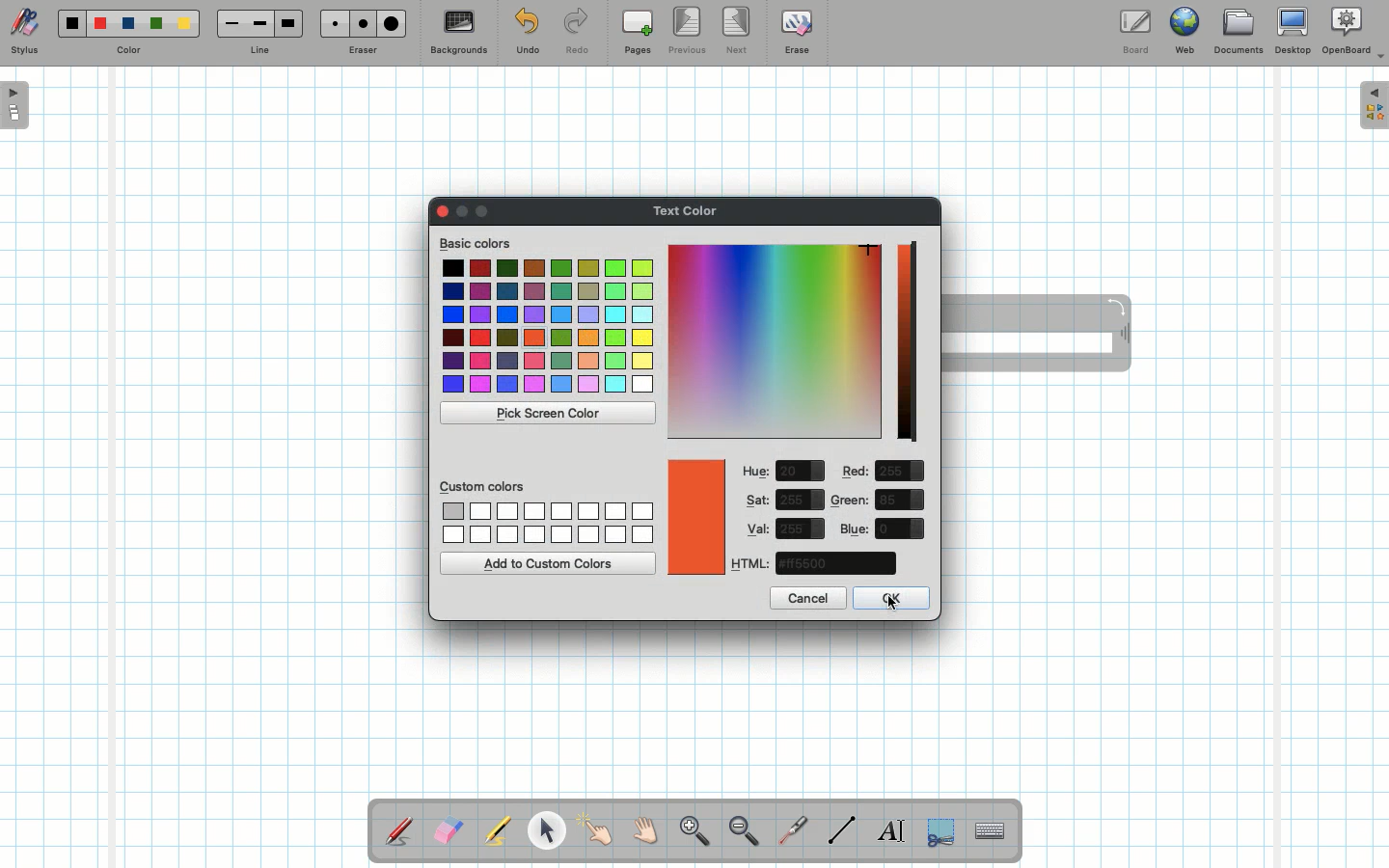 This screenshot has height=868, width=1389. What do you see at coordinates (789, 831) in the screenshot?
I see `Laser pointer` at bounding box center [789, 831].